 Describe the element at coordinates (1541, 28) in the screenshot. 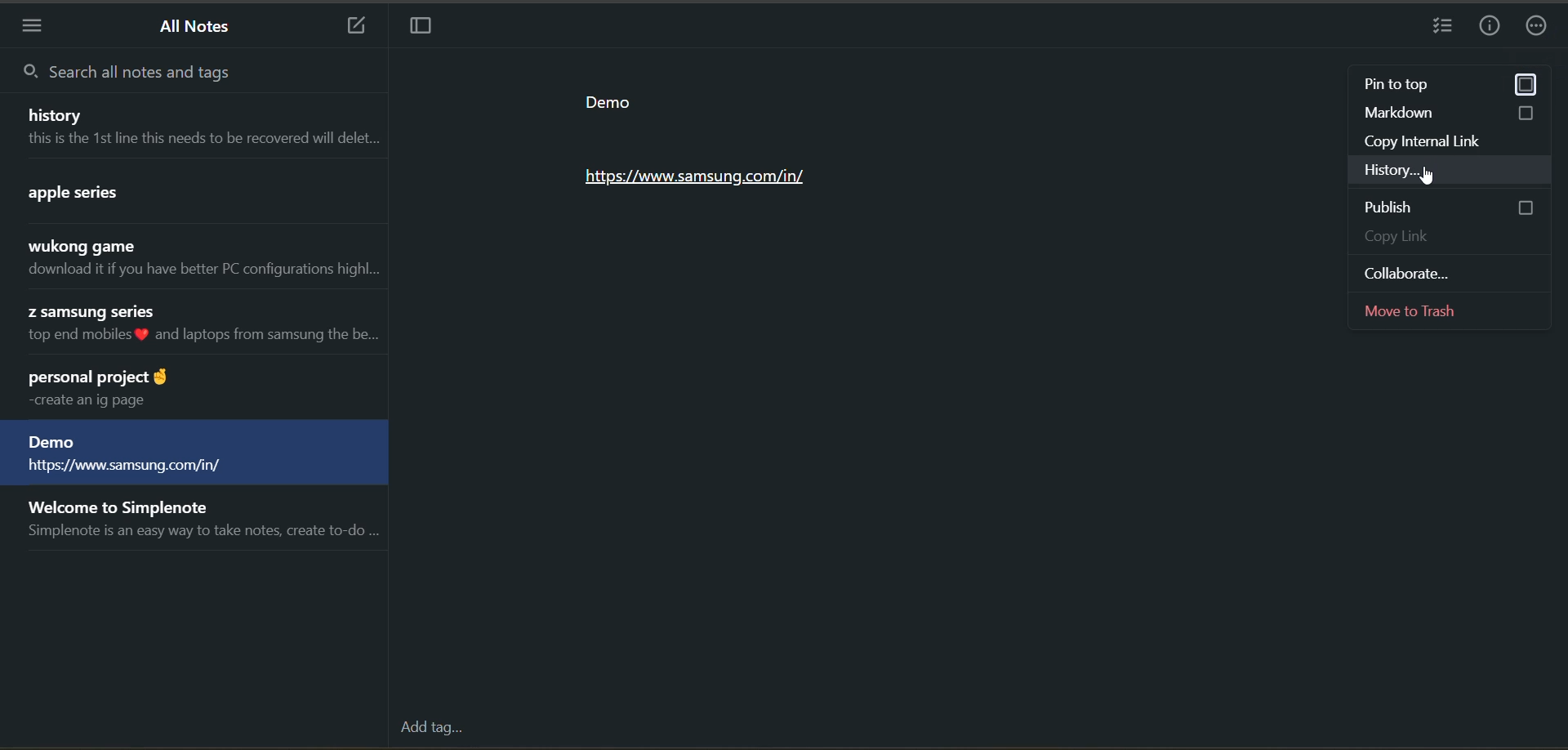

I see `actions` at that location.